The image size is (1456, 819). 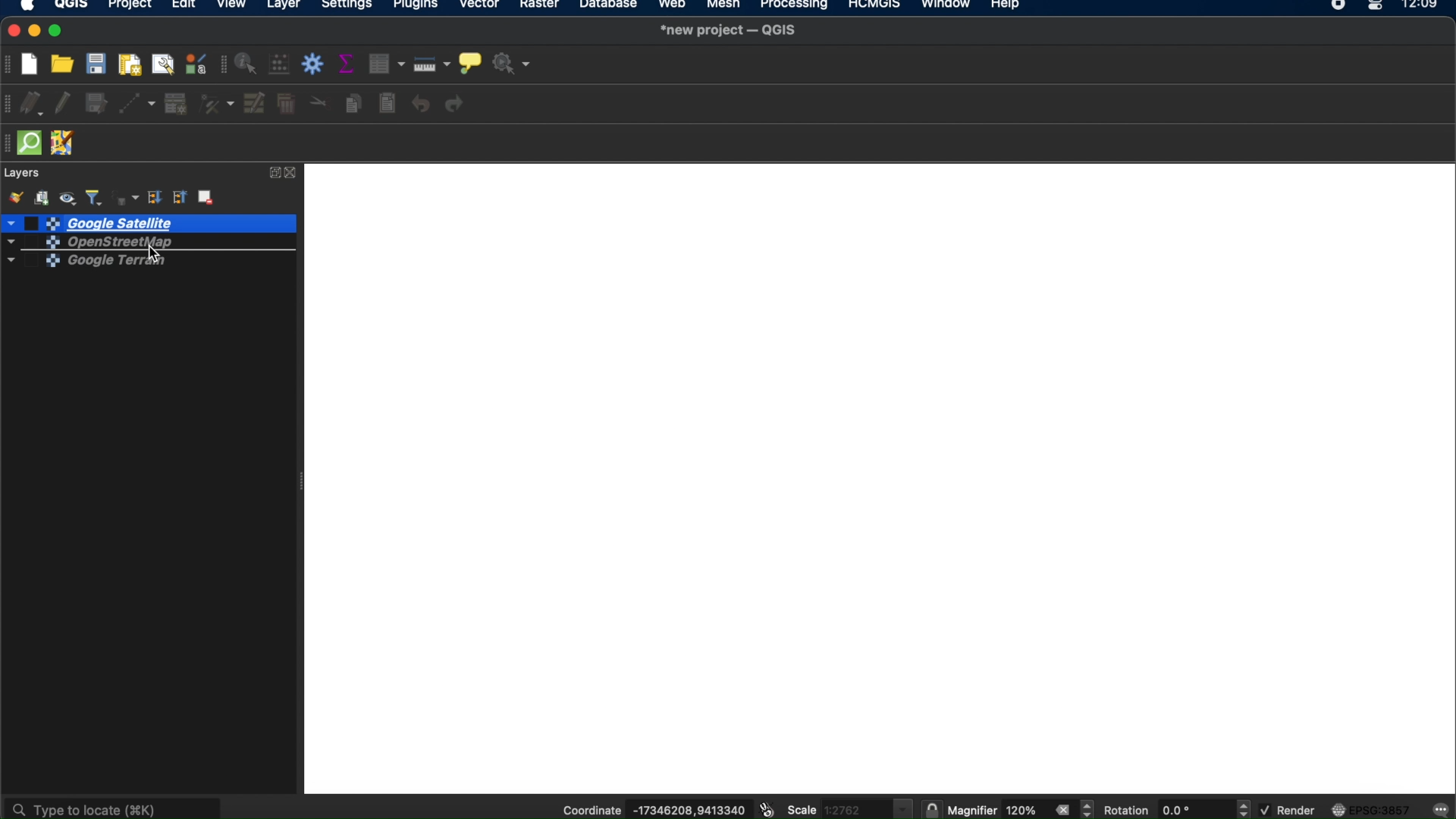 What do you see at coordinates (14, 197) in the screenshot?
I see `open layer styling panel` at bounding box center [14, 197].